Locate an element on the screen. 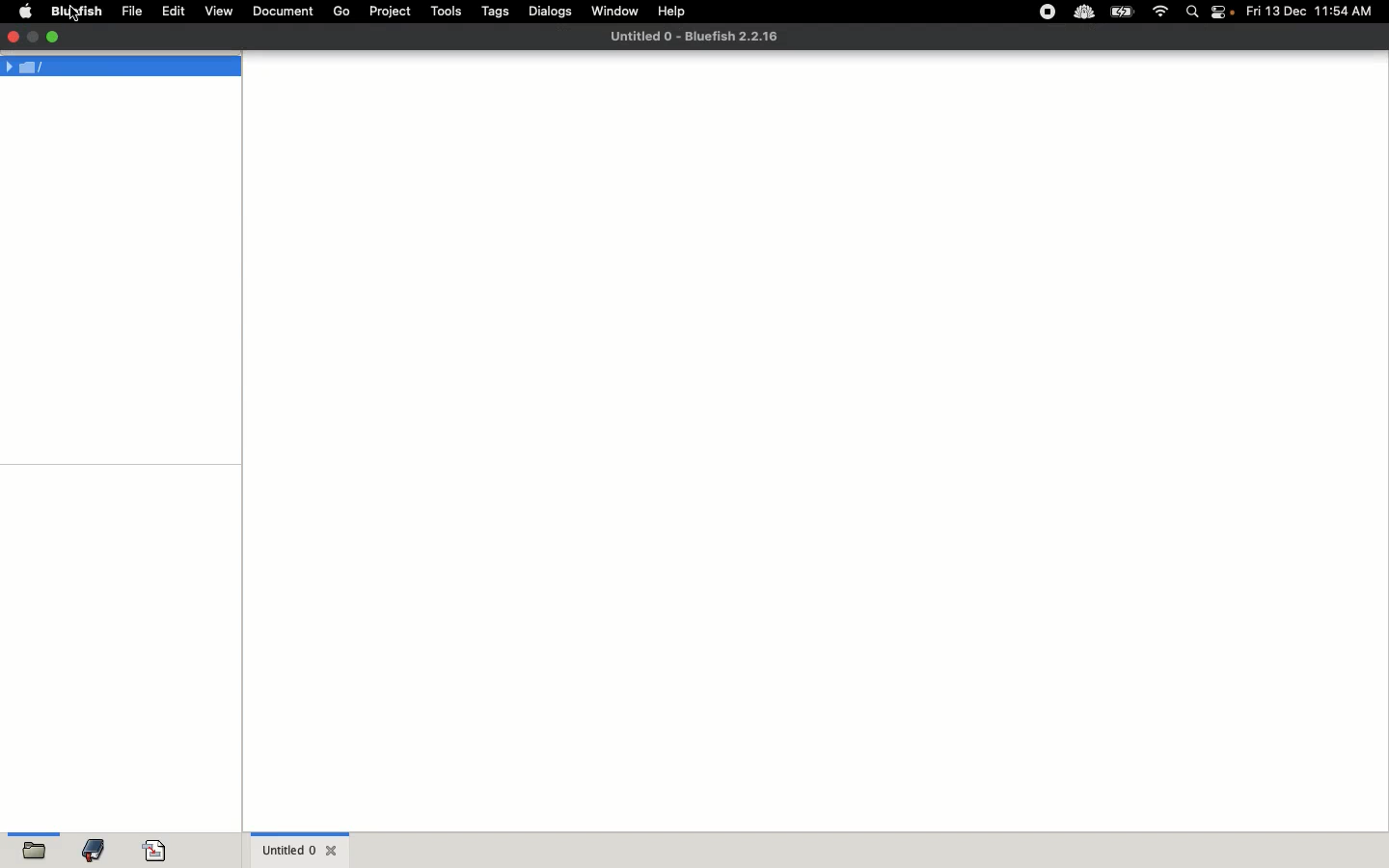 This screenshot has width=1389, height=868. Bluefish is located at coordinates (73, 12).